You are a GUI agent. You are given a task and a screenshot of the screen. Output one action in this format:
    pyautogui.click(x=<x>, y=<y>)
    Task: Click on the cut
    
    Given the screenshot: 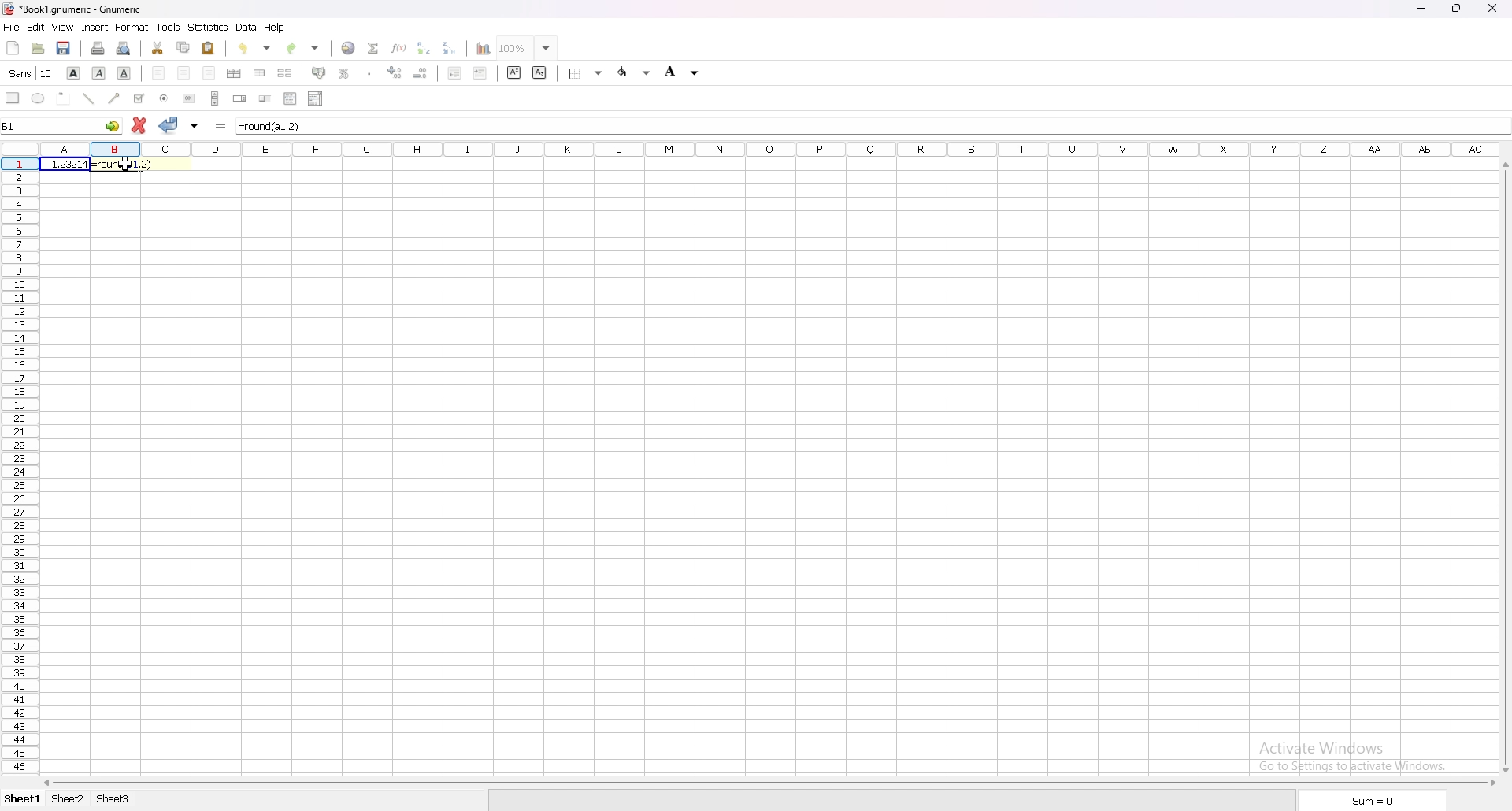 What is the action you would take?
    pyautogui.click(x=157, y=47)
    